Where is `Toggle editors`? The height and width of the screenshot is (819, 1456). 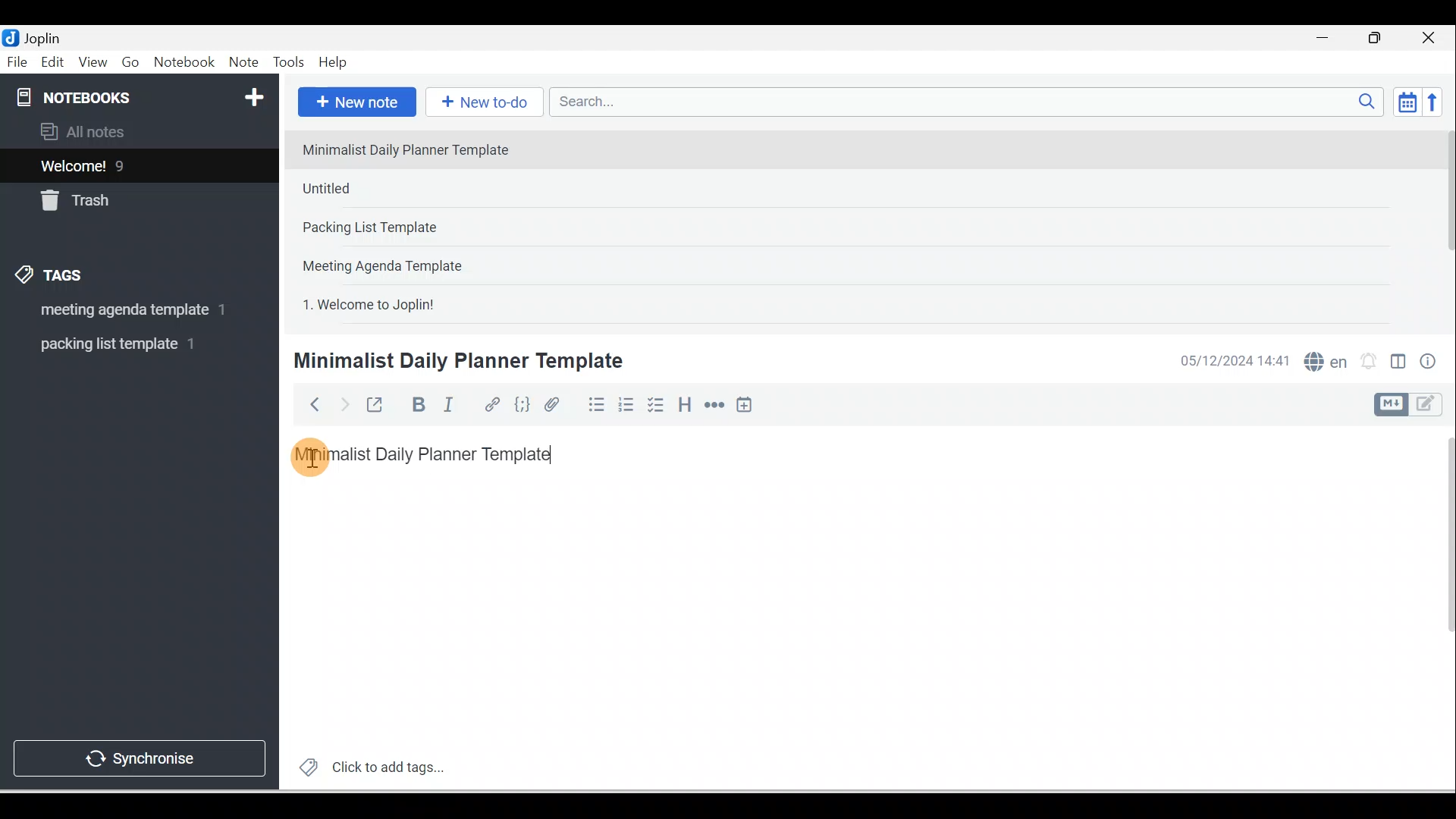
Toggle editors is located at coordinates (1398, 364).